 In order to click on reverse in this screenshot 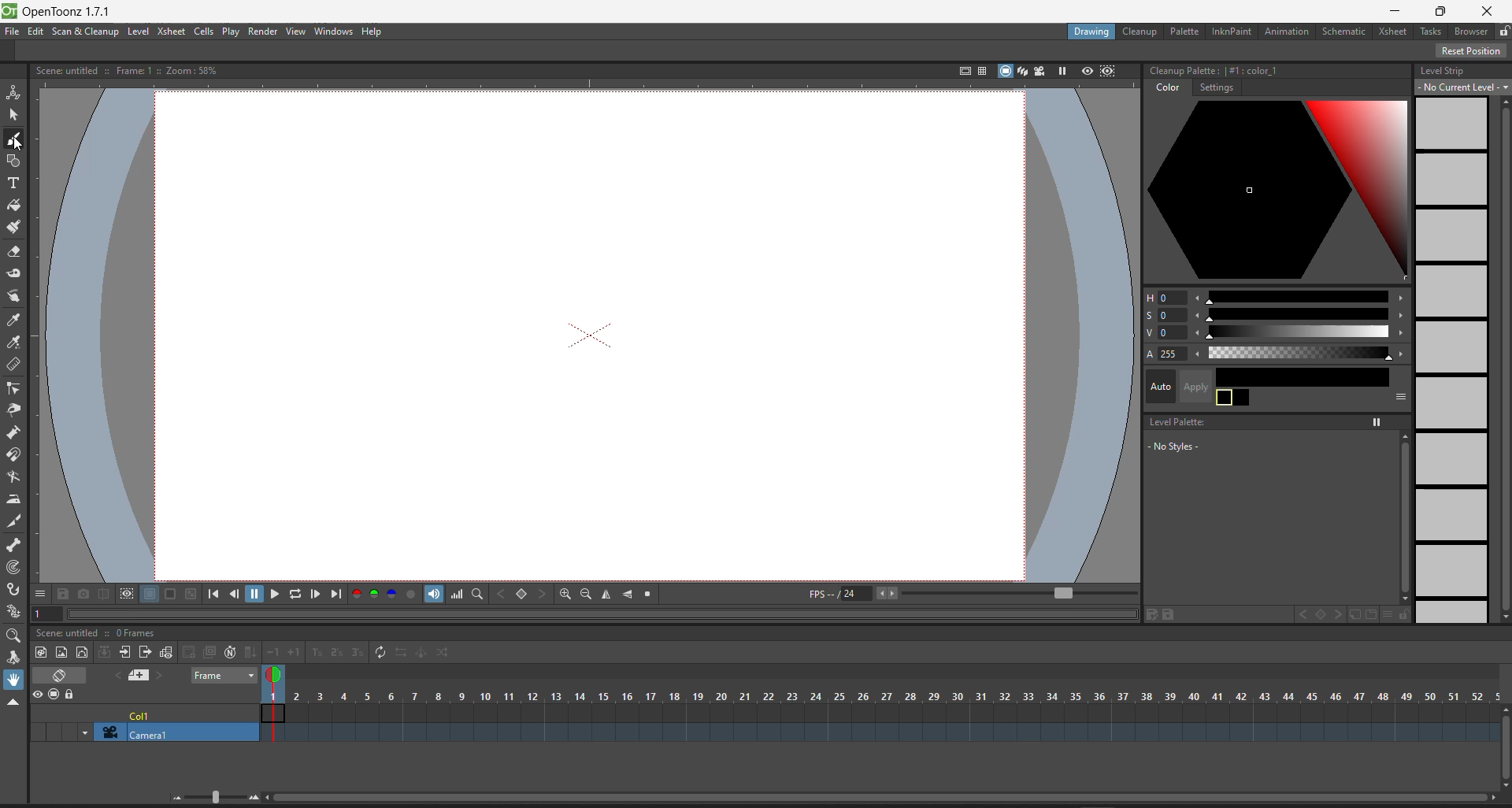, I will do `click(399, 654)`.